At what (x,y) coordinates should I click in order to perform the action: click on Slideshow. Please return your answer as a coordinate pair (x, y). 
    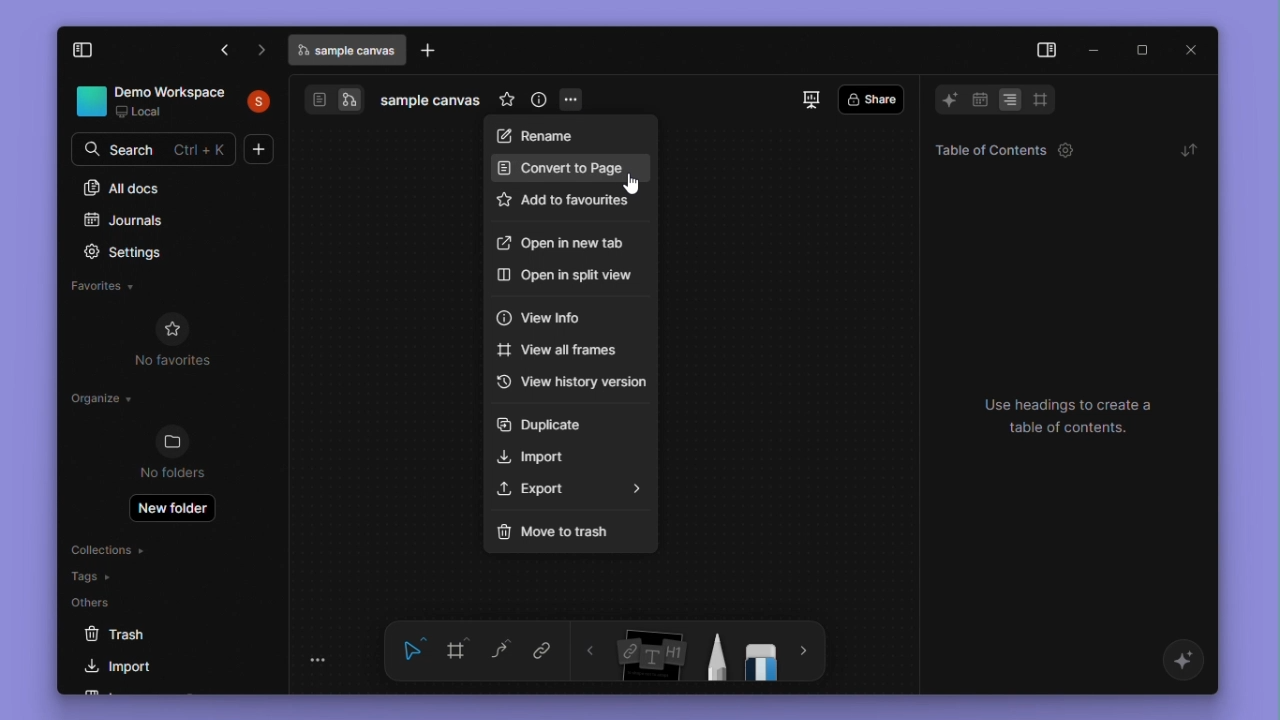
    Looking at the image, I should click on (814, 101).